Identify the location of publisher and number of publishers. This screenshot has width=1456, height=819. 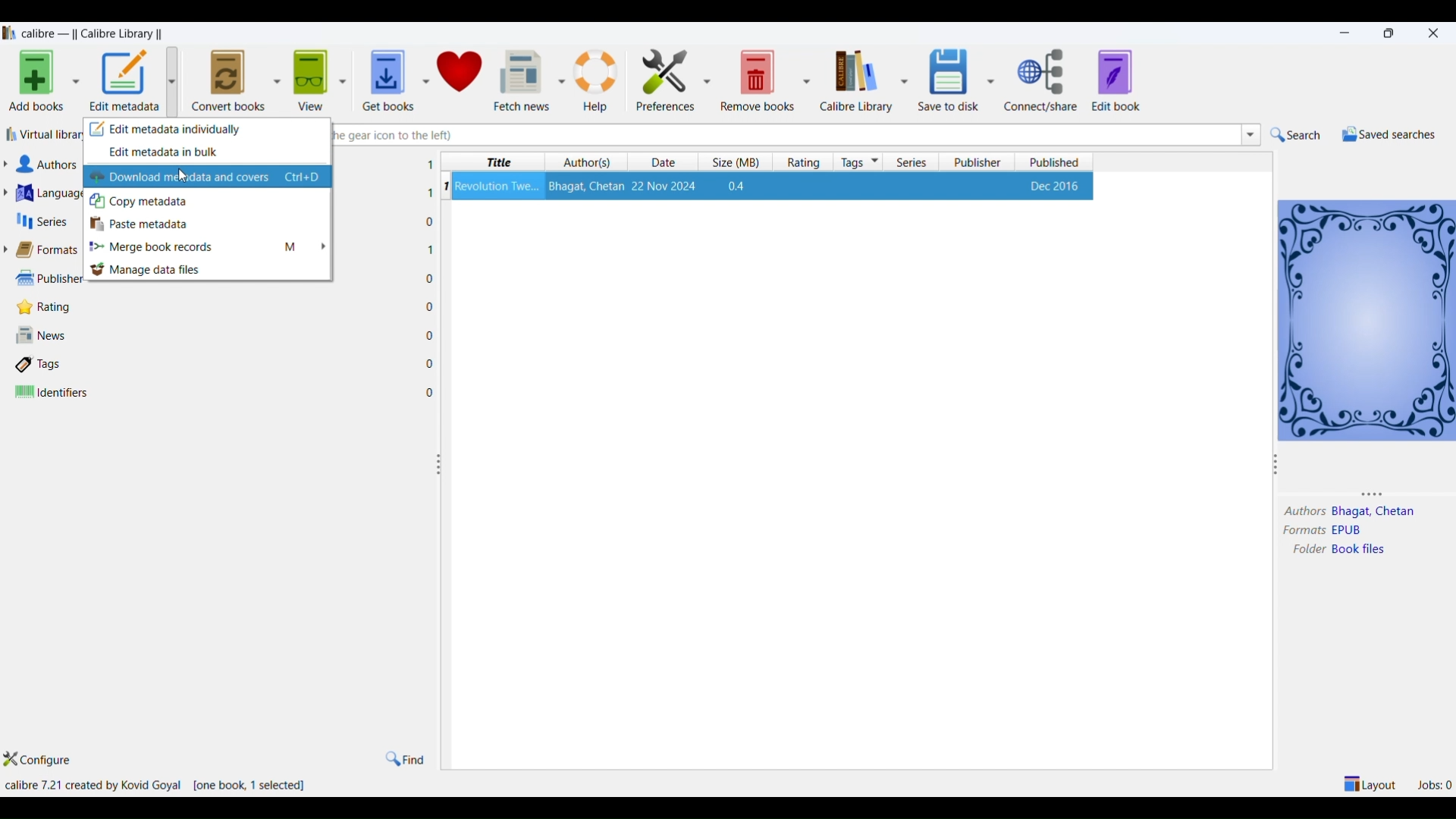
(47, 277).